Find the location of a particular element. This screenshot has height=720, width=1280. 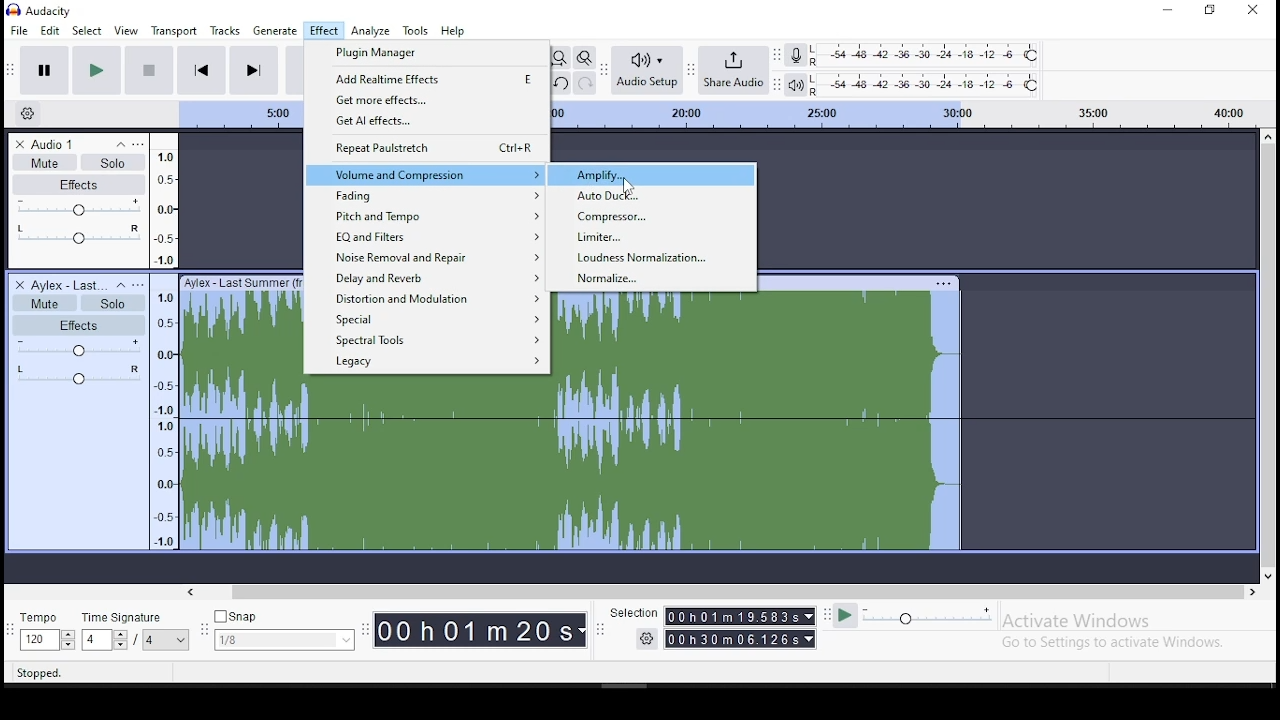

loudness normalise is located at coordinates (650, 257).